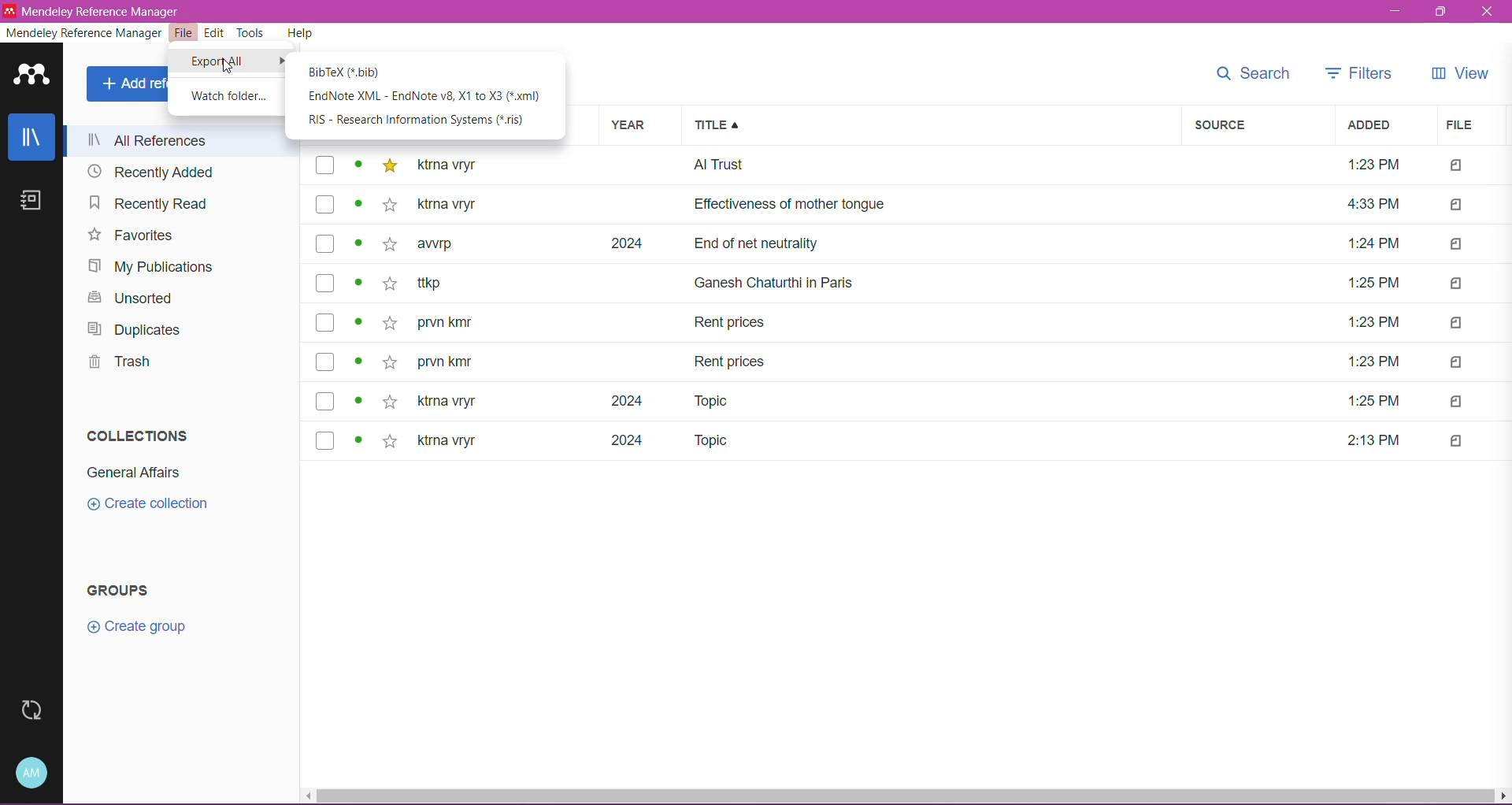  Describe the element at coordinates (910, 323) in the screenshot. I see `prvn kmr Rent prices 1:23 PM` at that location.